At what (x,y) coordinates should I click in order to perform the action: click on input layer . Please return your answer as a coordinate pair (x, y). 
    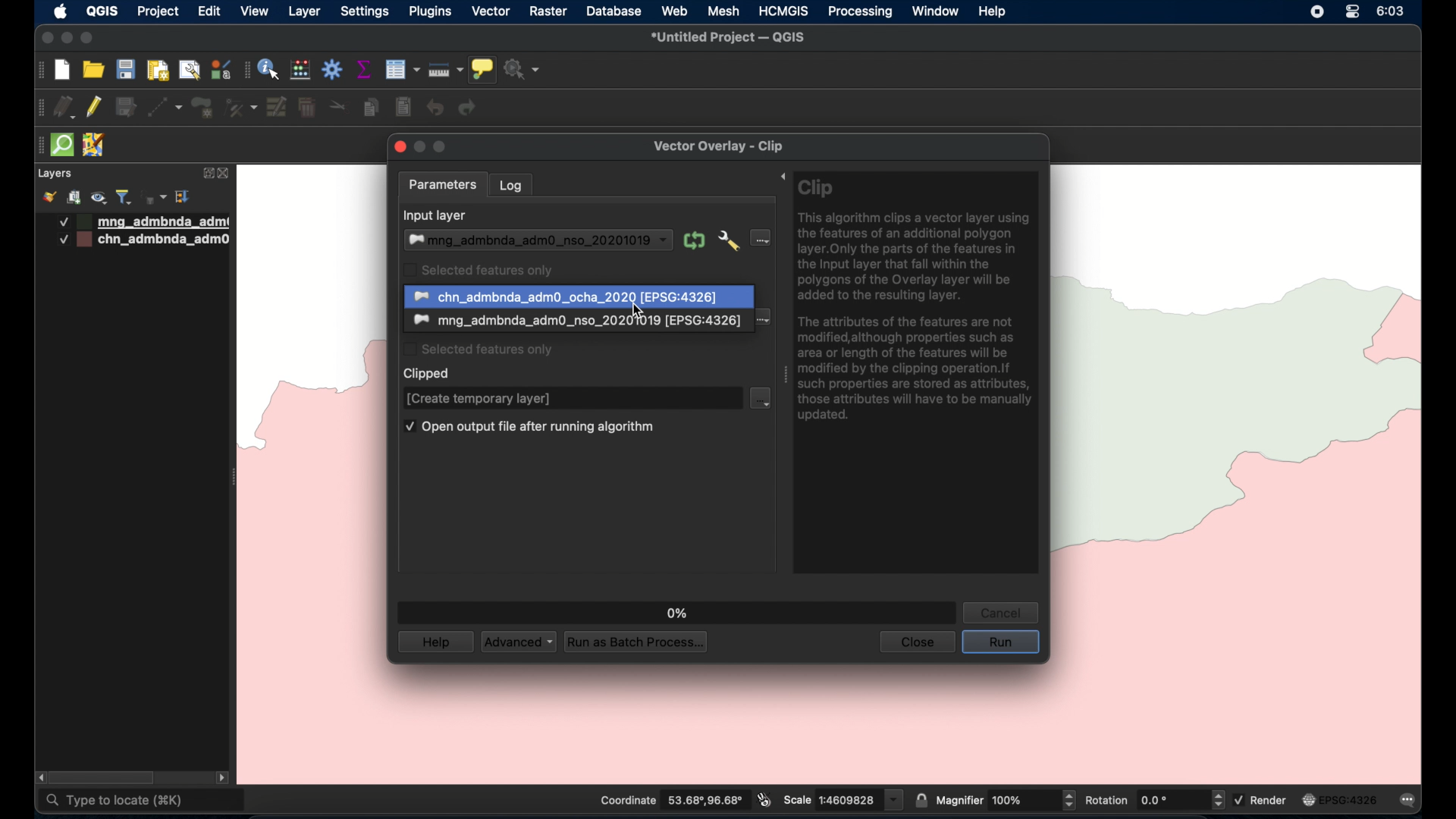
    Looking at the image, I should click on (436, 216).